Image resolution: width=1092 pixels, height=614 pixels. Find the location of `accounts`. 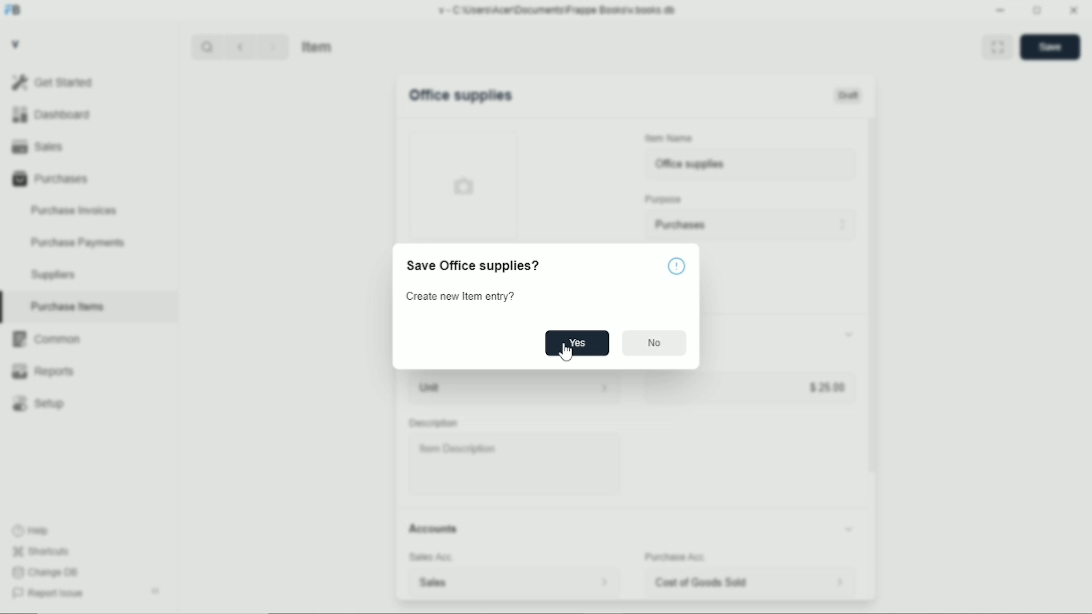

accounts is located at coordinates (433, 528).